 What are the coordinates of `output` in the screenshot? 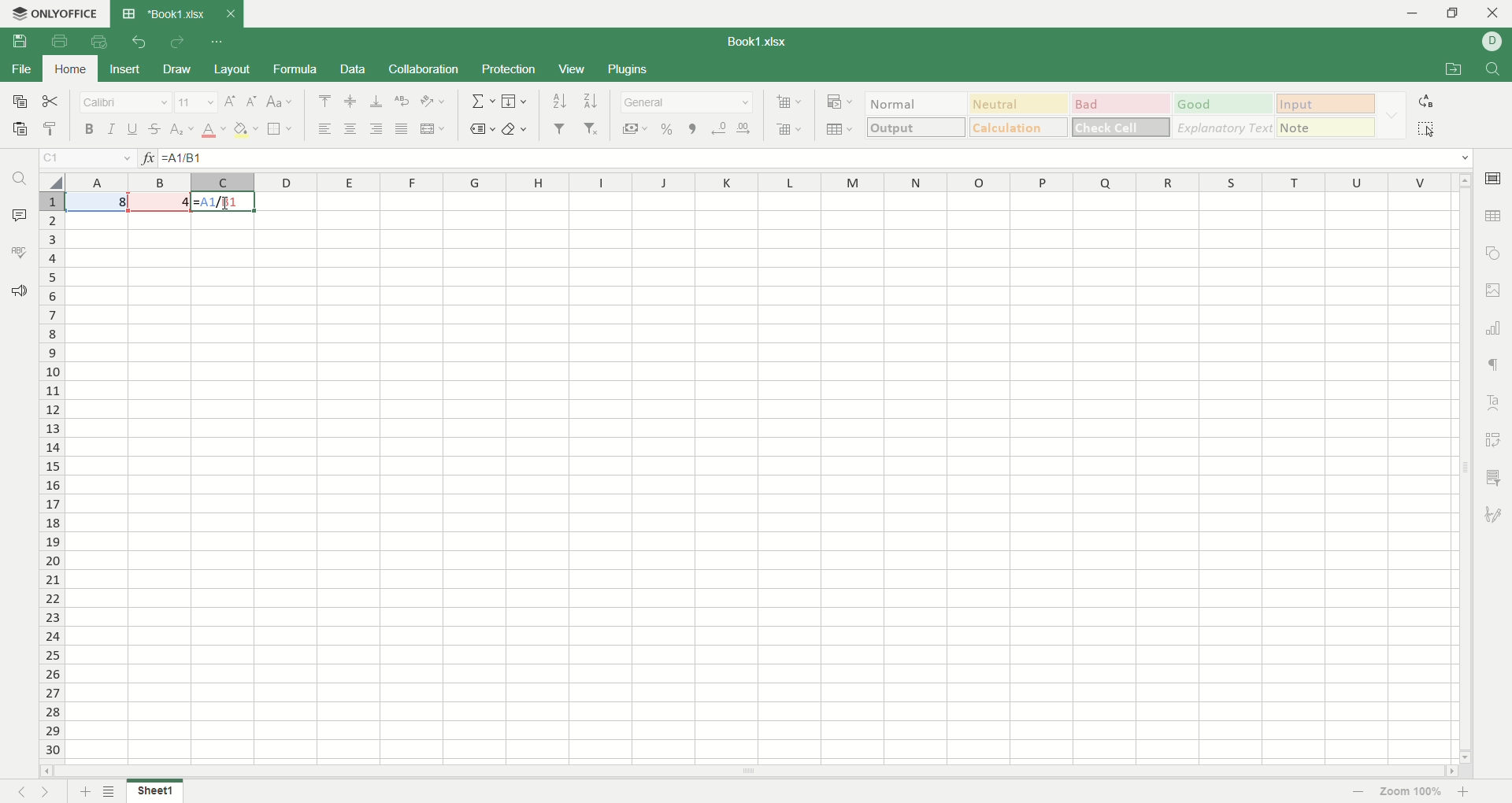 It's located at (917, 128).